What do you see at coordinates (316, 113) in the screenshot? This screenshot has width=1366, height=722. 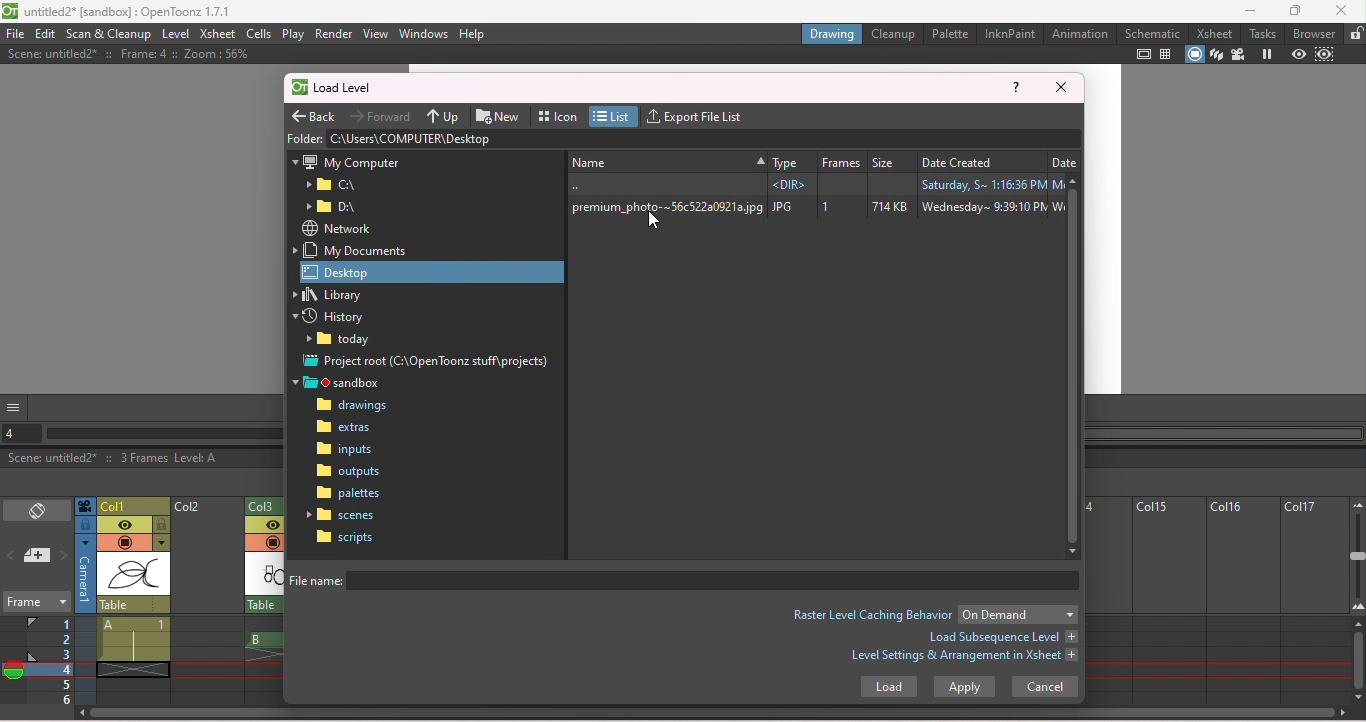 I see `Back` at bounding box center [316, 113].